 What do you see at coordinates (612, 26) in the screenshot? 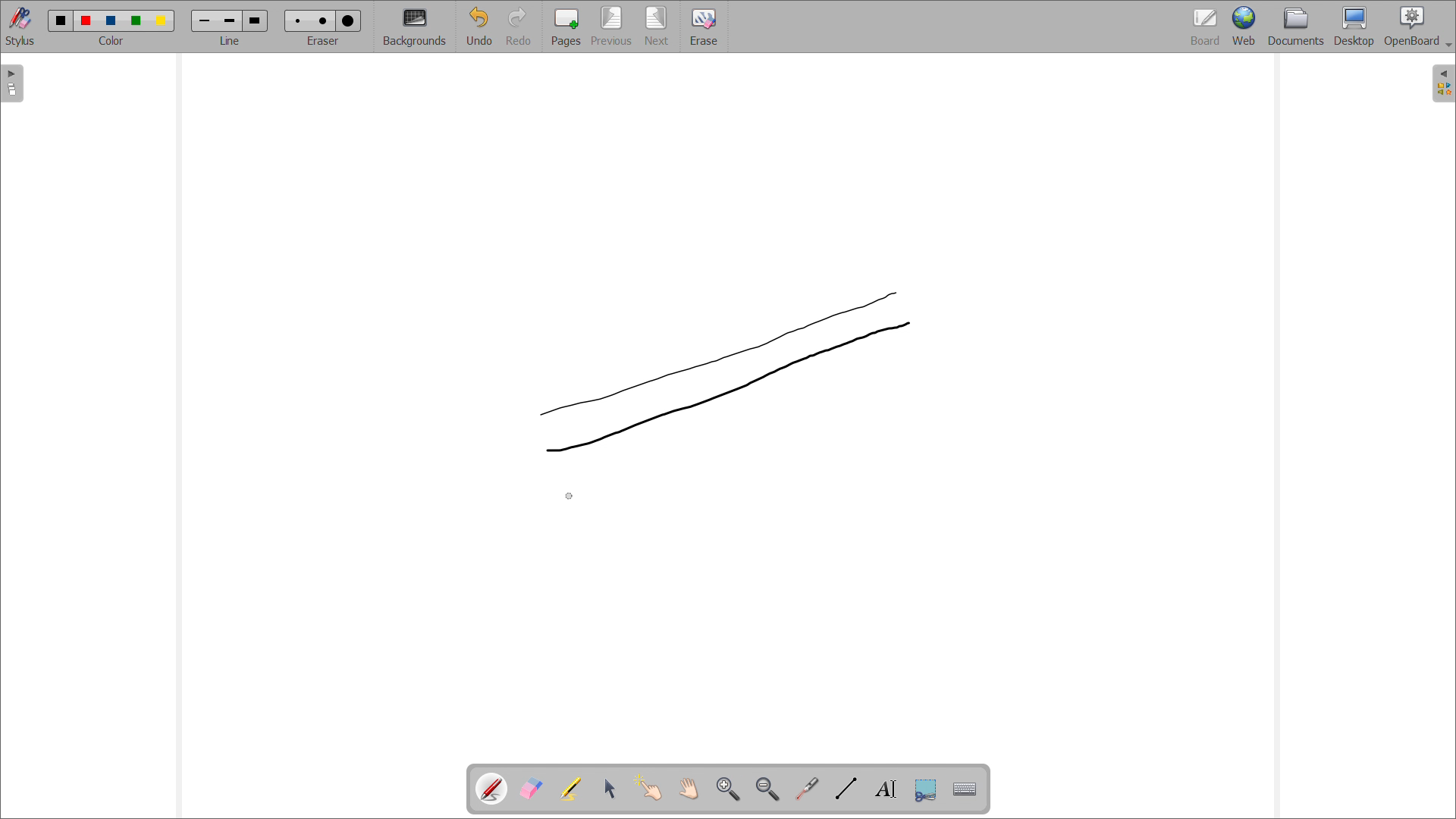
I see `previous page` at bounding box center [612, 26].